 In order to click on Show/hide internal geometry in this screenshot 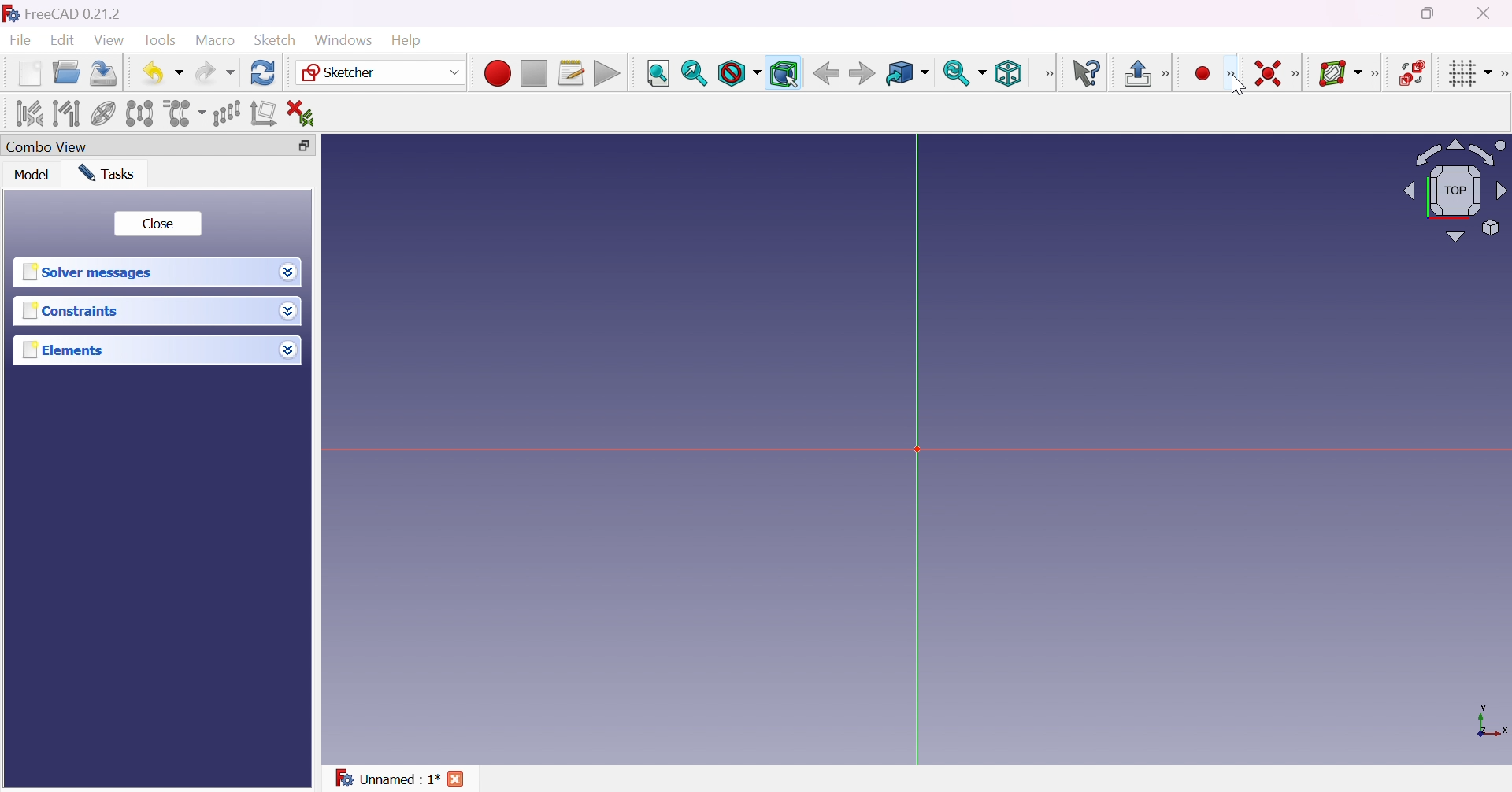, I will do `click(104, 116)`.